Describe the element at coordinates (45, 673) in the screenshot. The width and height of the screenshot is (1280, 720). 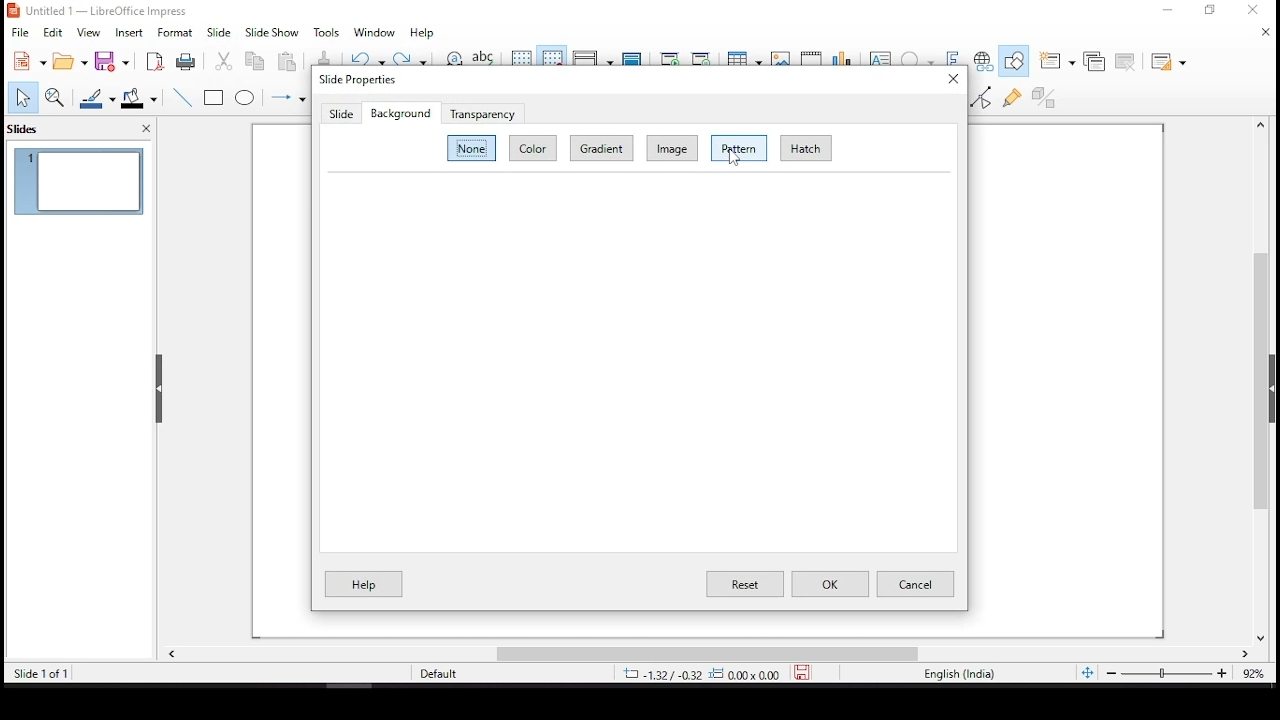
I see `slide 1 of 1` at that location.